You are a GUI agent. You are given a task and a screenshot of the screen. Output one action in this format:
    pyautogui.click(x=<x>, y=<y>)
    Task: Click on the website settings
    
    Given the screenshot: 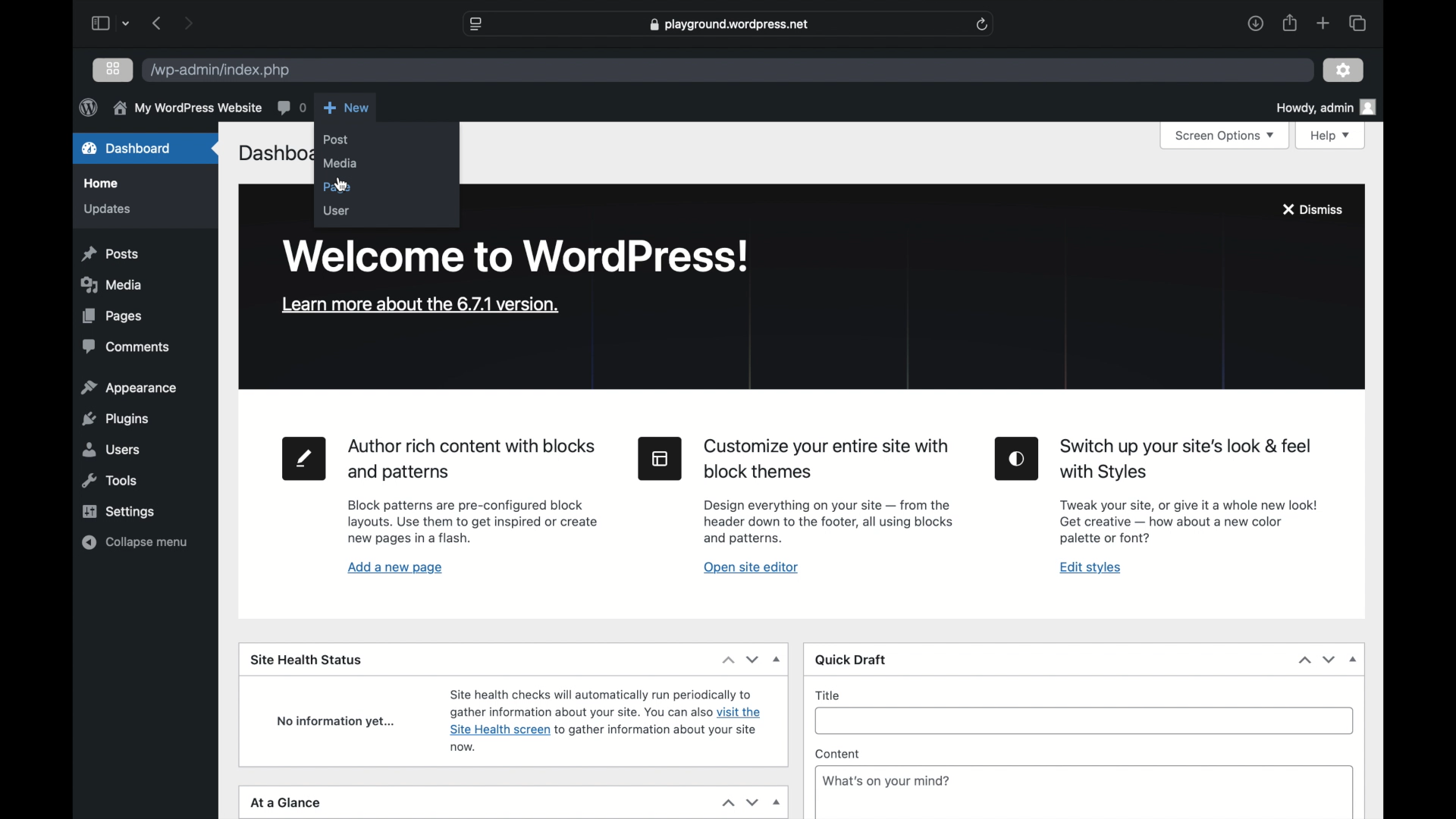 What is the action you would take?
    pyautogui.click(x=478, y=24)
    